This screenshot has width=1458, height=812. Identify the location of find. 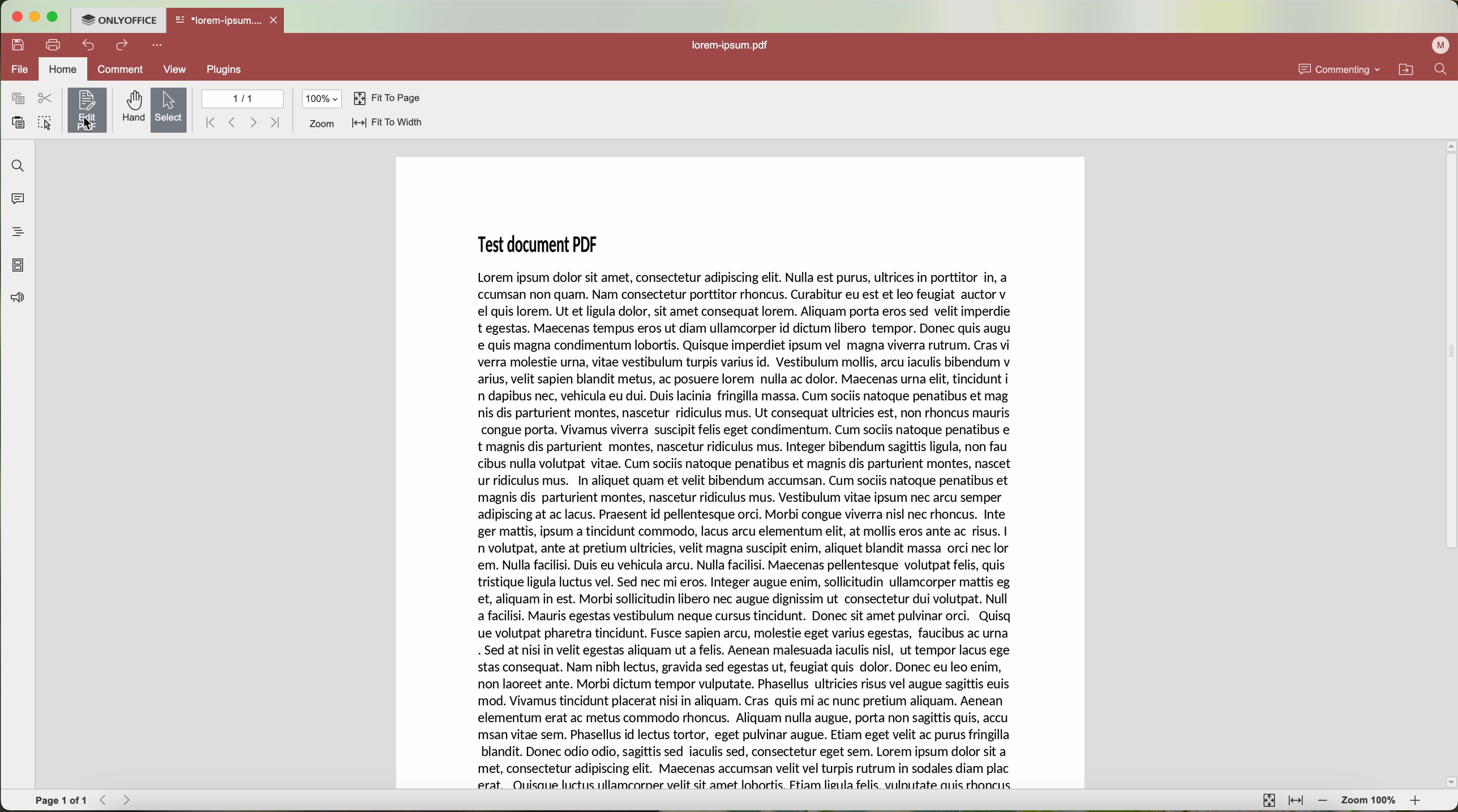
(18, 166).